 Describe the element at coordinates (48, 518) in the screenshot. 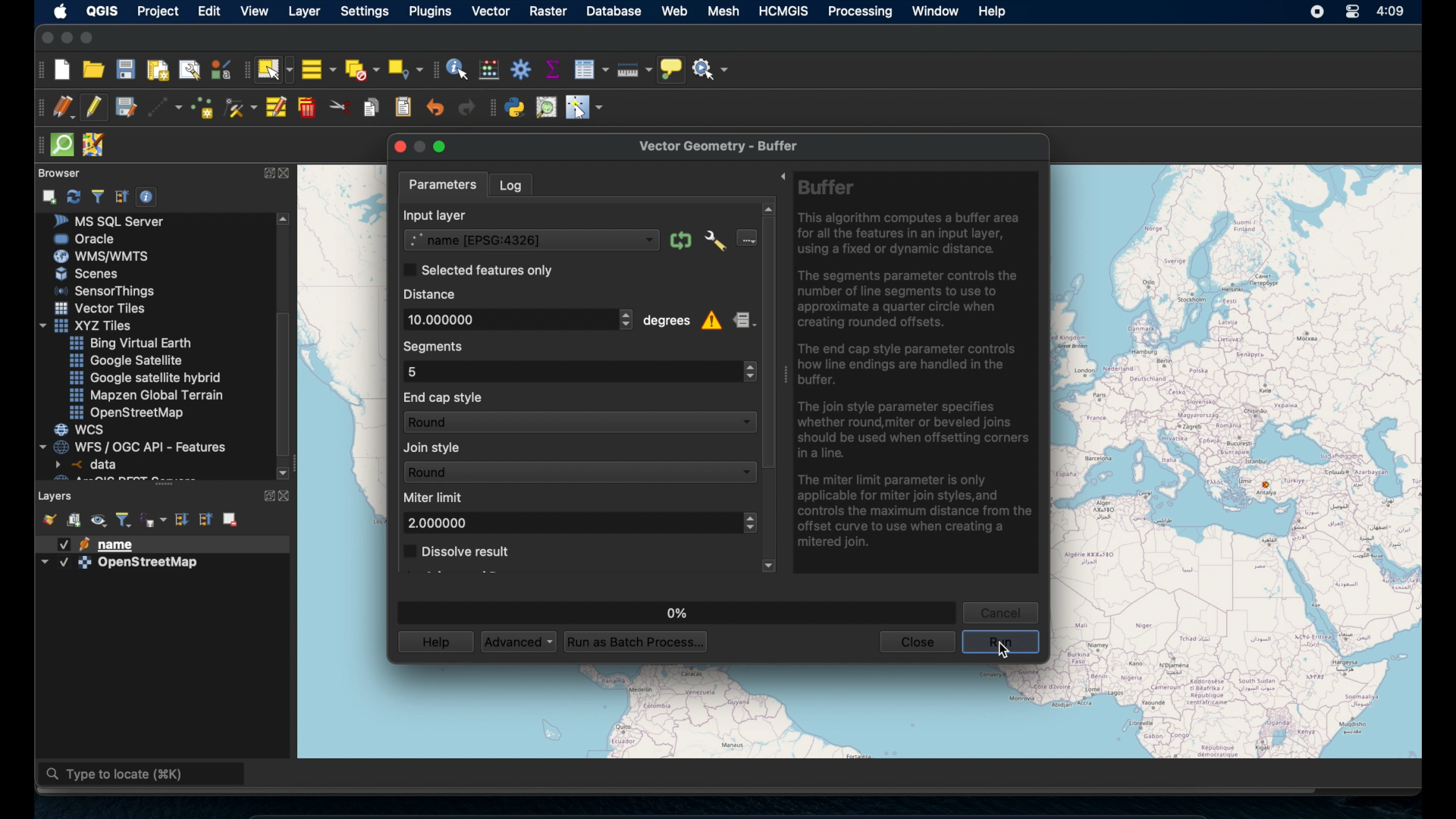

I see `style manager` at that location.